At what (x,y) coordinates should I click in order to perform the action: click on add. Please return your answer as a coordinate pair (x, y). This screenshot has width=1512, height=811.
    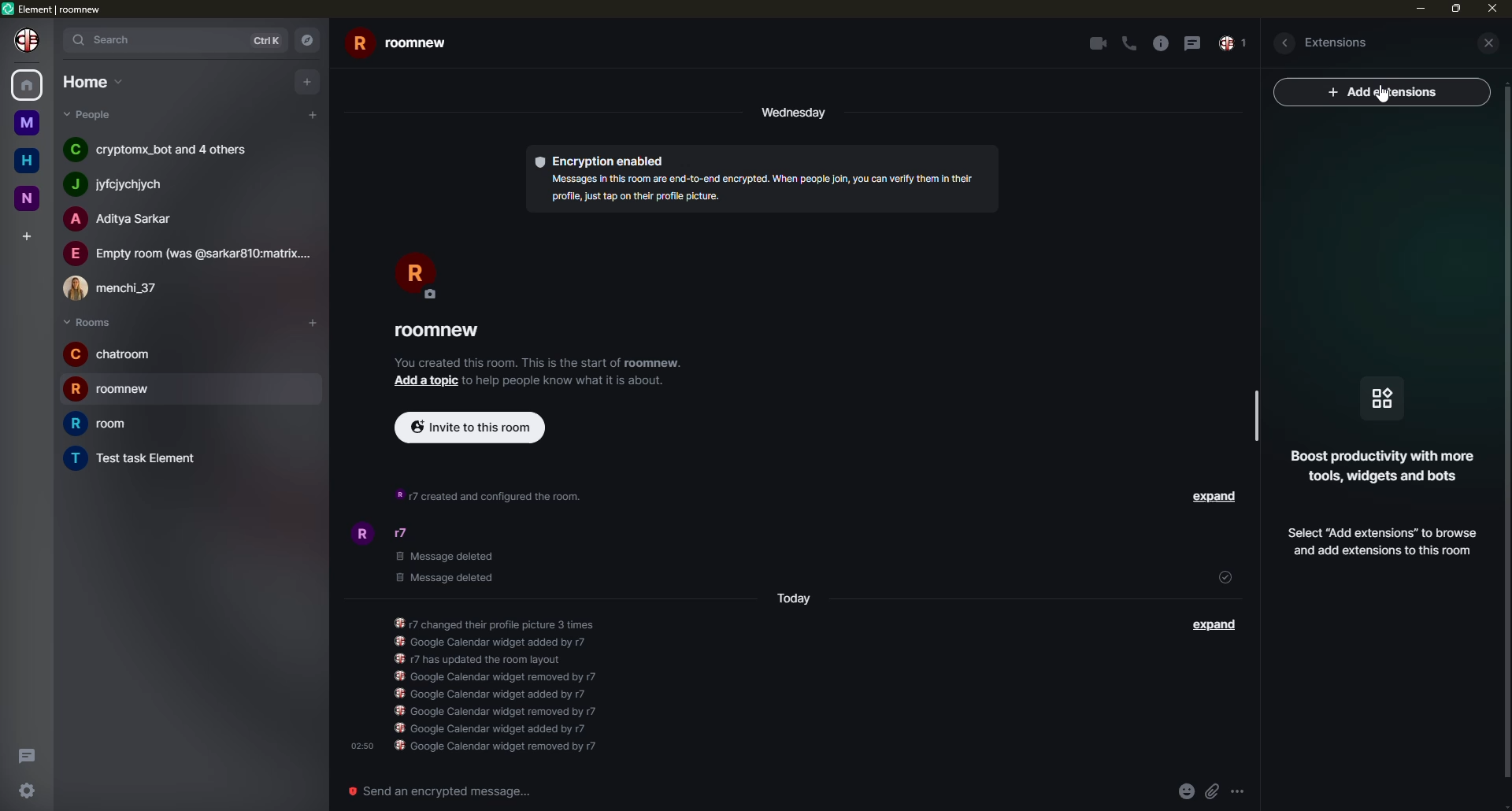
    Looking at the image, I should click on (27, 236).